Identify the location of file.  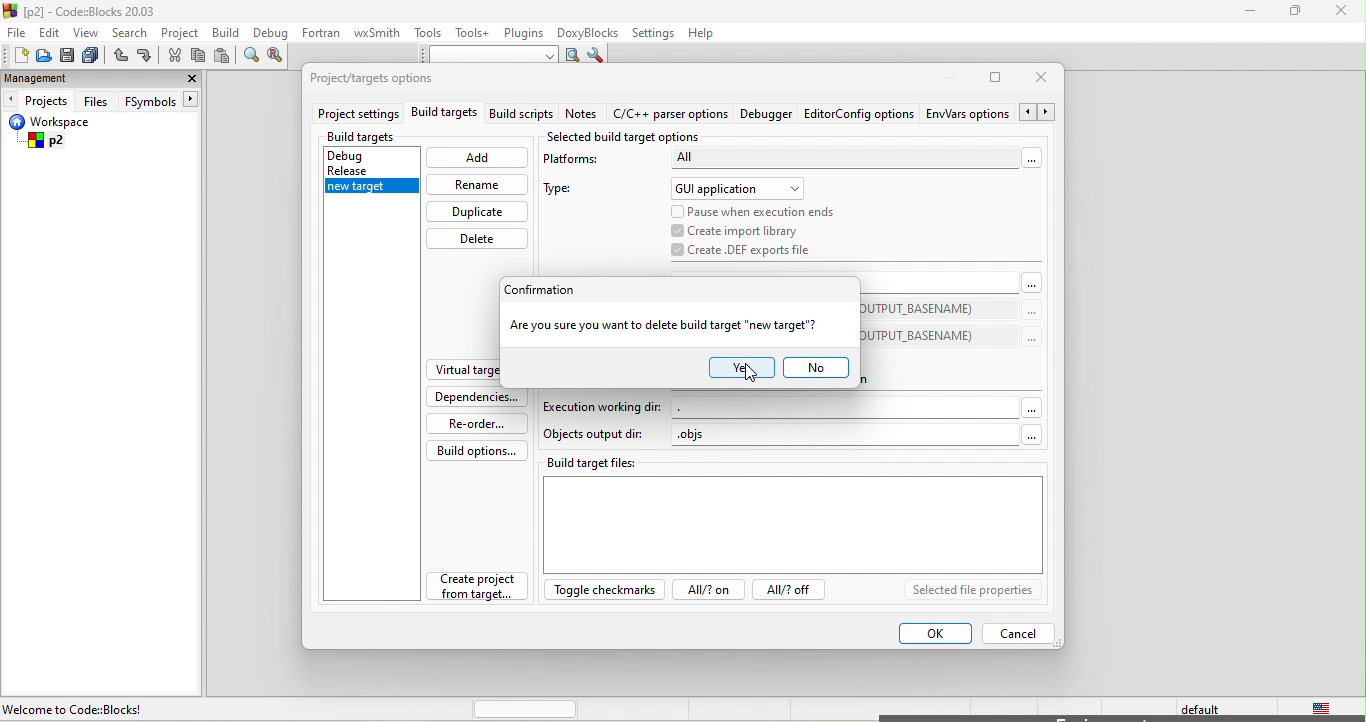
(15, 32).